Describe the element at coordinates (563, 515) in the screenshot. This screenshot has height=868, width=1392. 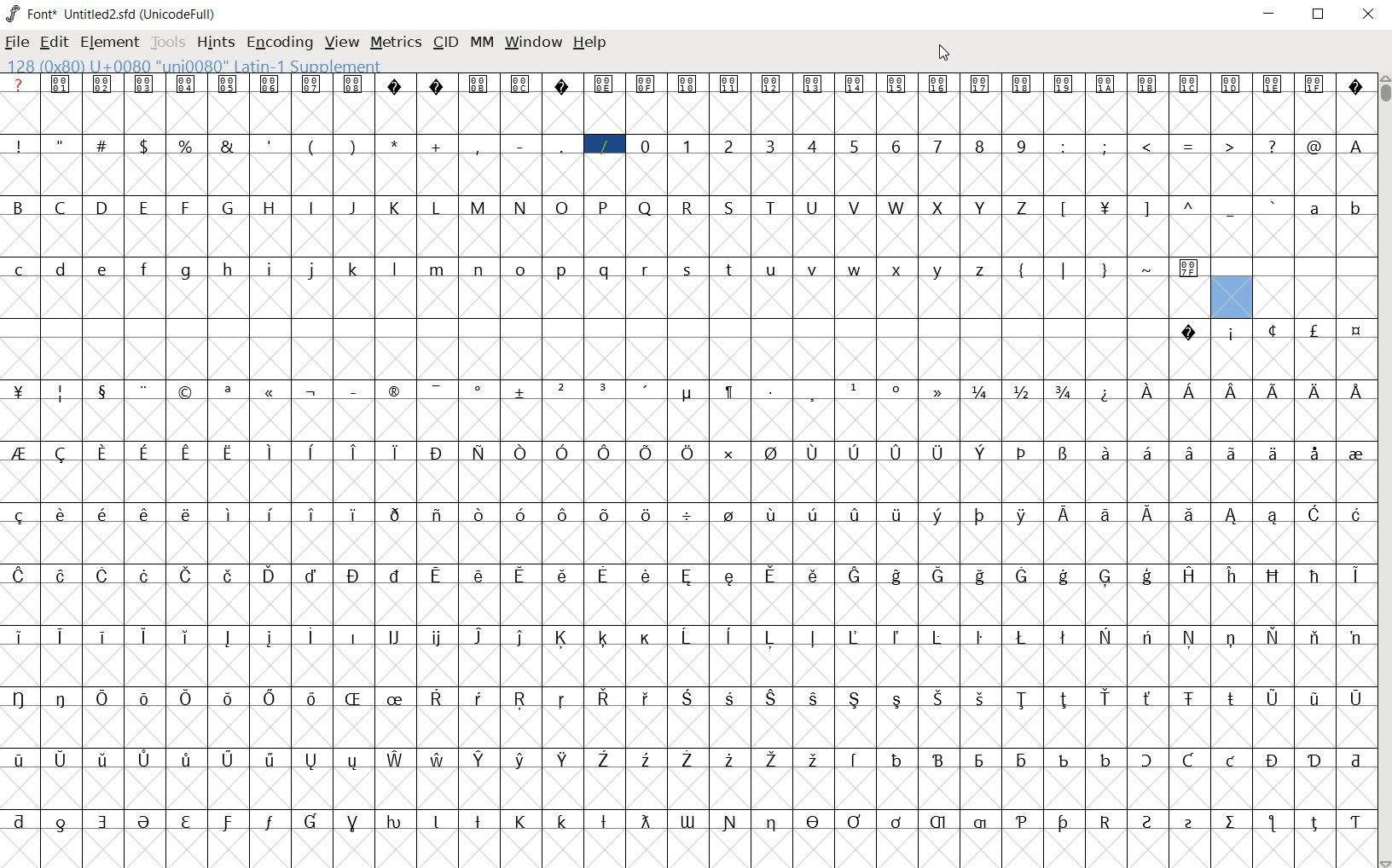
I see `glyph` at that location.